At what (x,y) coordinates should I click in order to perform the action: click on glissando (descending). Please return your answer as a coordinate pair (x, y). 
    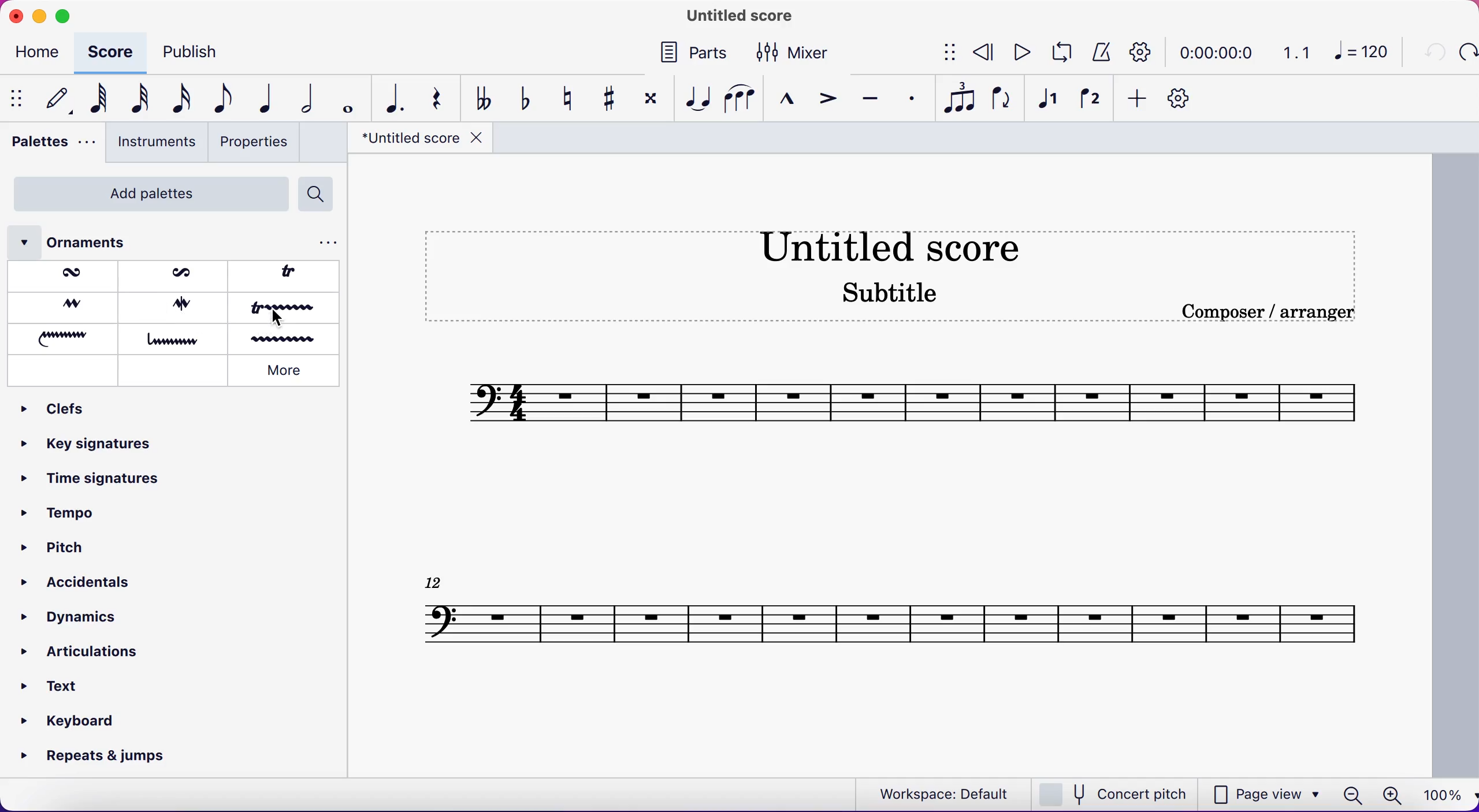
    Looking at the image, I should click on (175, 339).